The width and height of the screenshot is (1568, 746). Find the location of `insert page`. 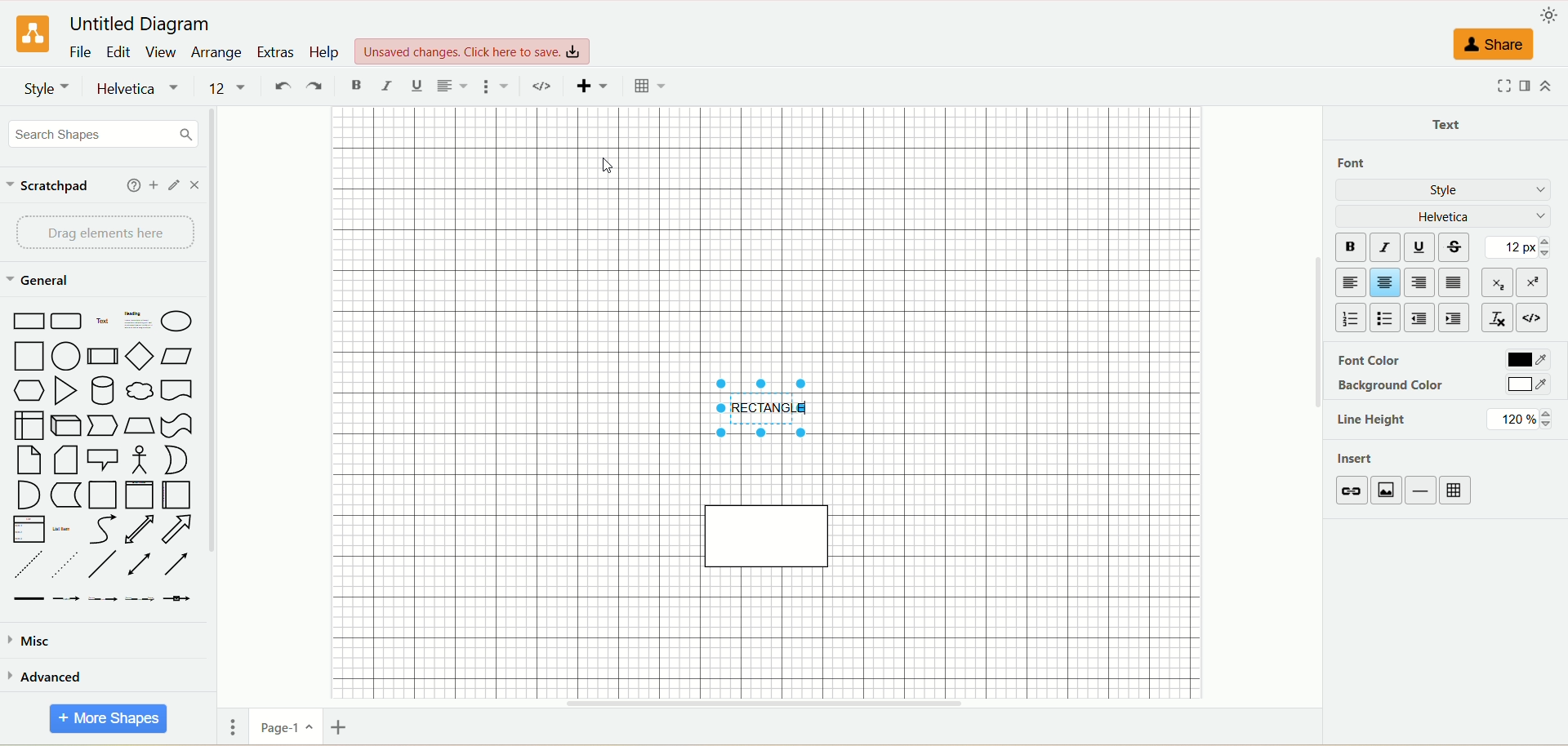

insert page is located at coordinates (337, 730).